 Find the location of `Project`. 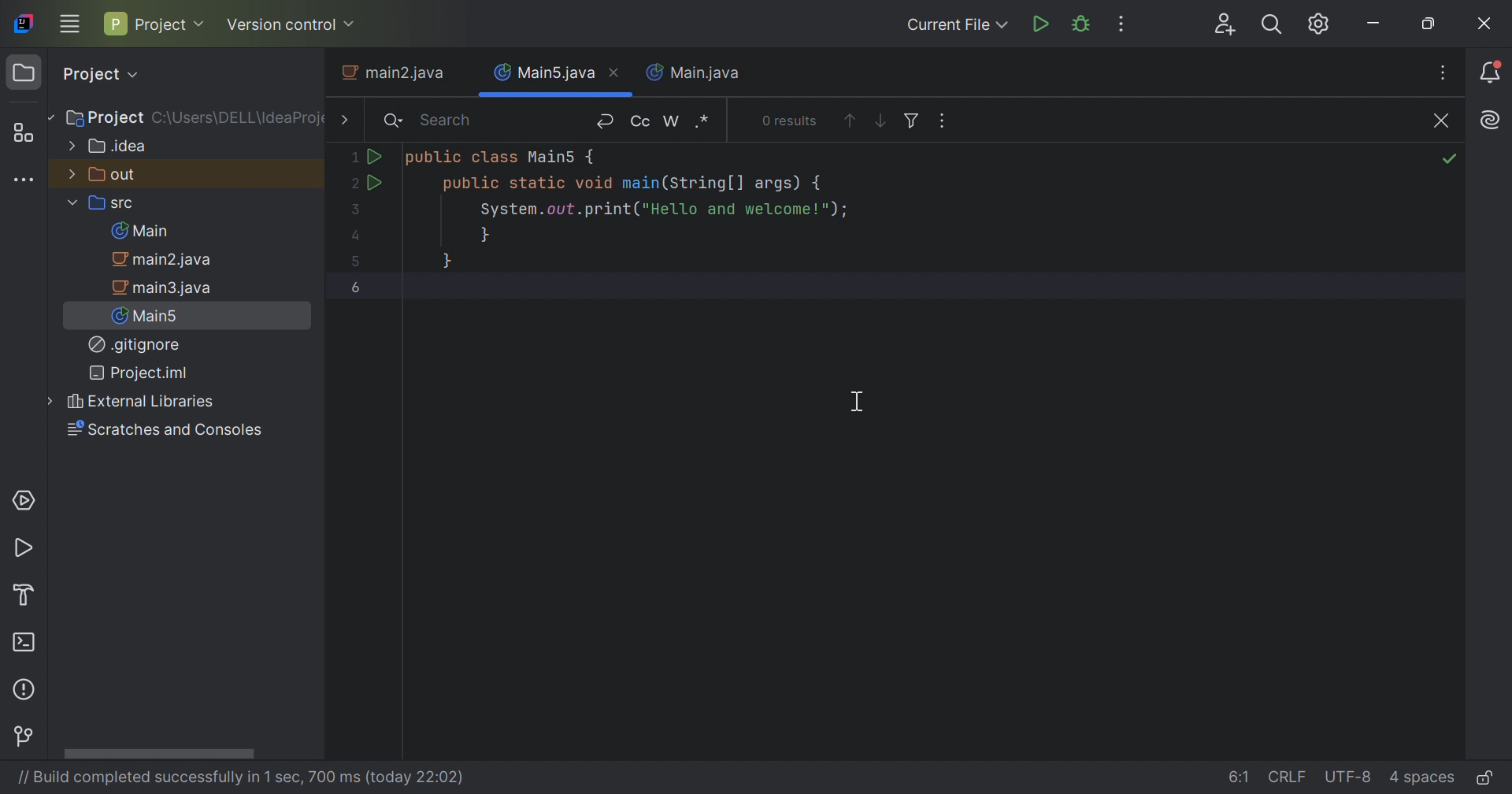

Project is located at coordinates (100, 74).